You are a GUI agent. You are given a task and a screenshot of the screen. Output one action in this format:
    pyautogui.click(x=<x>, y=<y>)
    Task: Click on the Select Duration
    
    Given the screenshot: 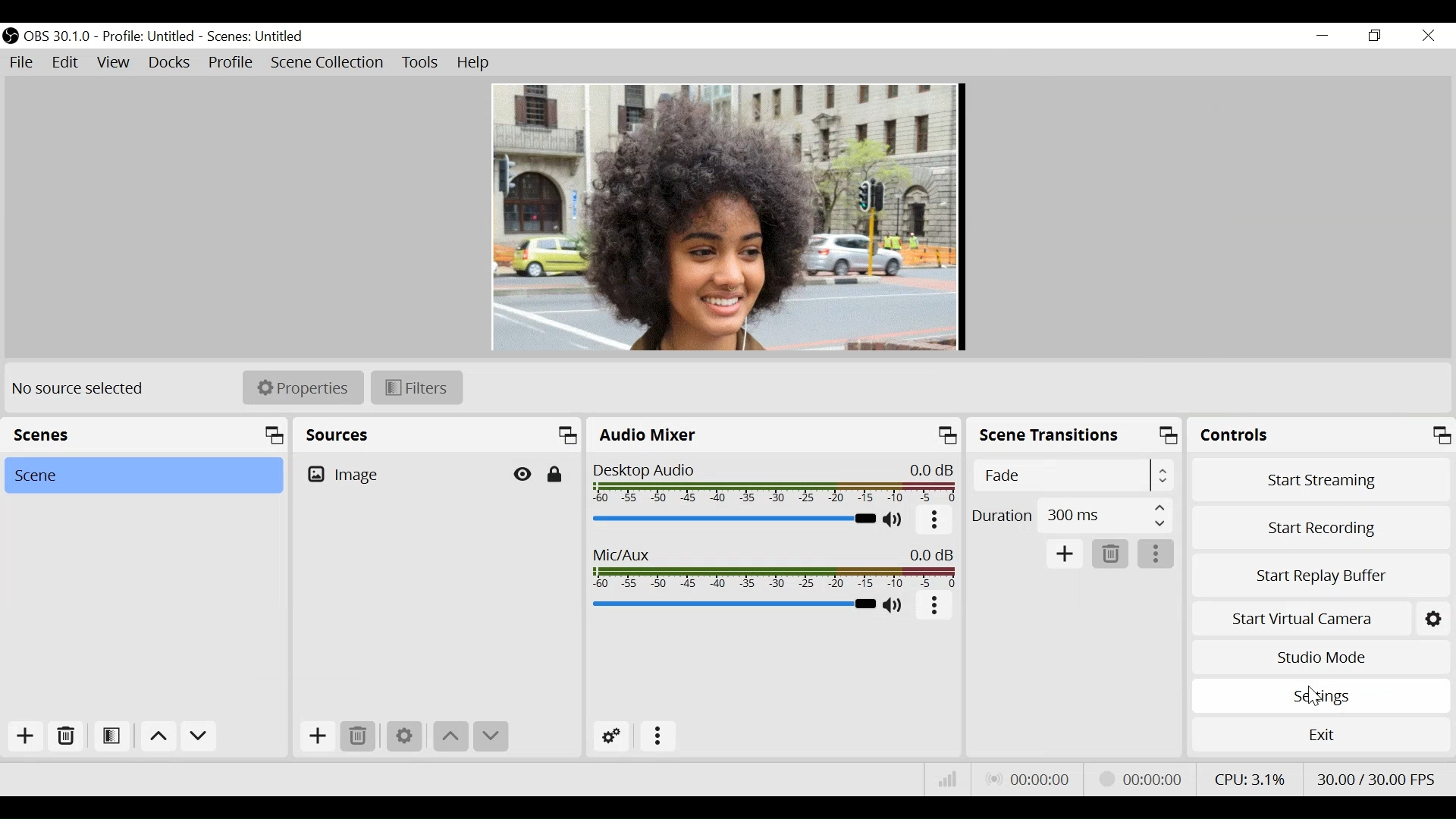 What is the action you would take?
    pyautogui.click(x=1070, y=516)
    